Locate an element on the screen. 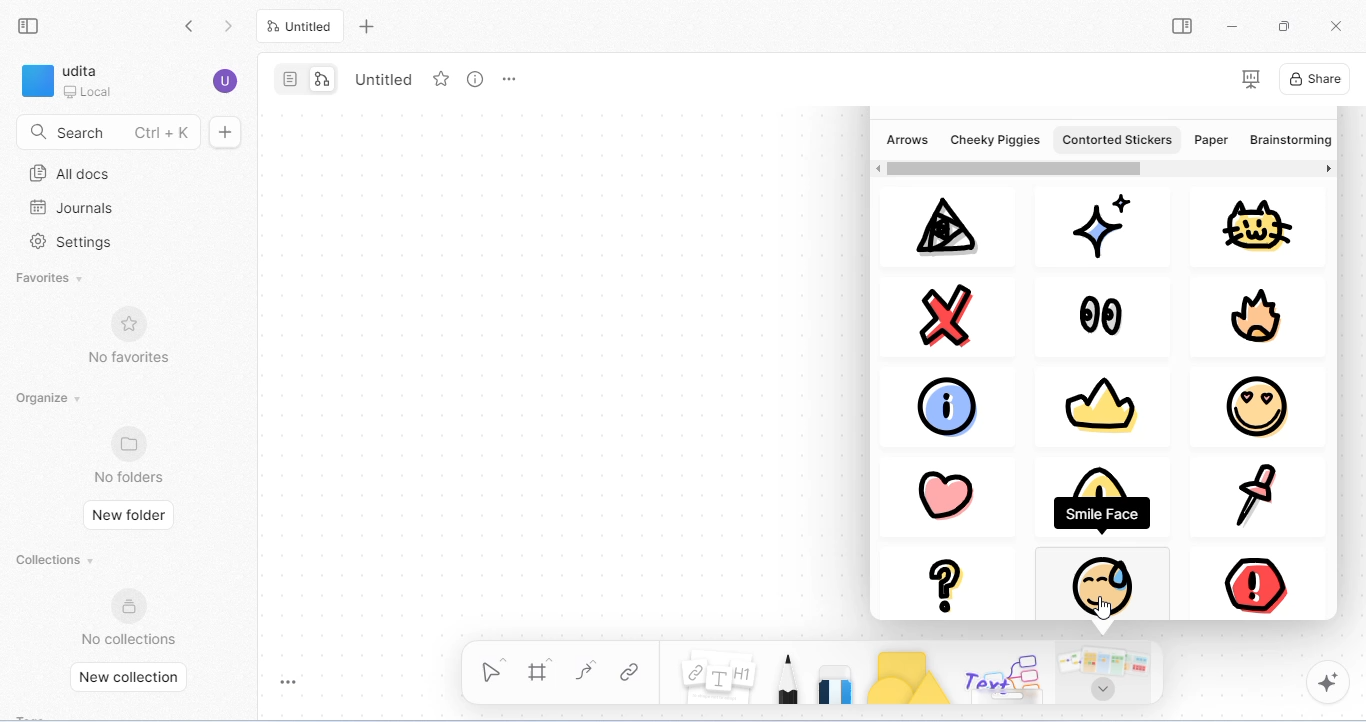 The width and height of the screenshot is (1366, 722). love is located at coordinates (943, 490).